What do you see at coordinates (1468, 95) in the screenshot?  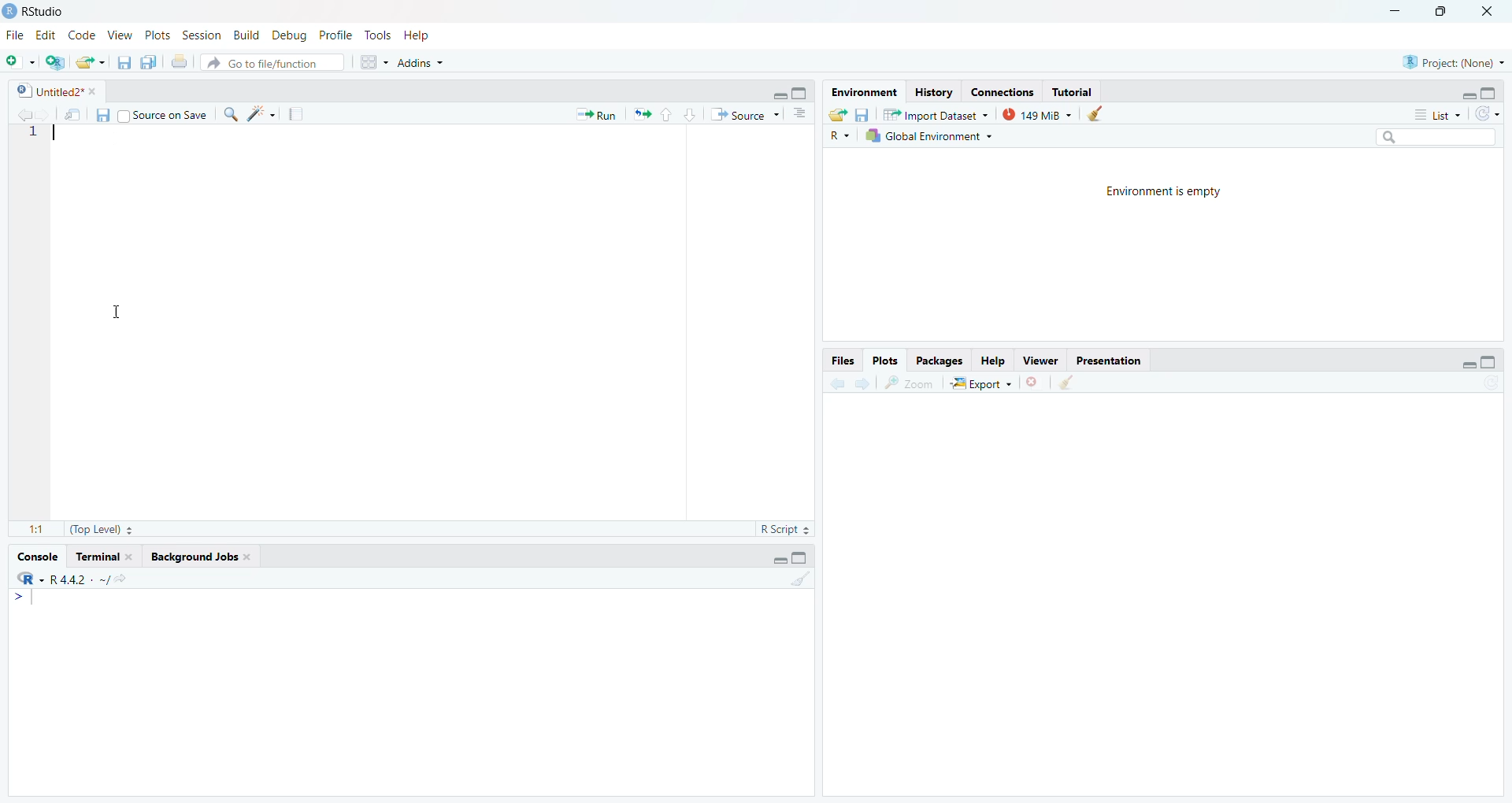 I see `Minimize` at bounding box center [1468, 95].